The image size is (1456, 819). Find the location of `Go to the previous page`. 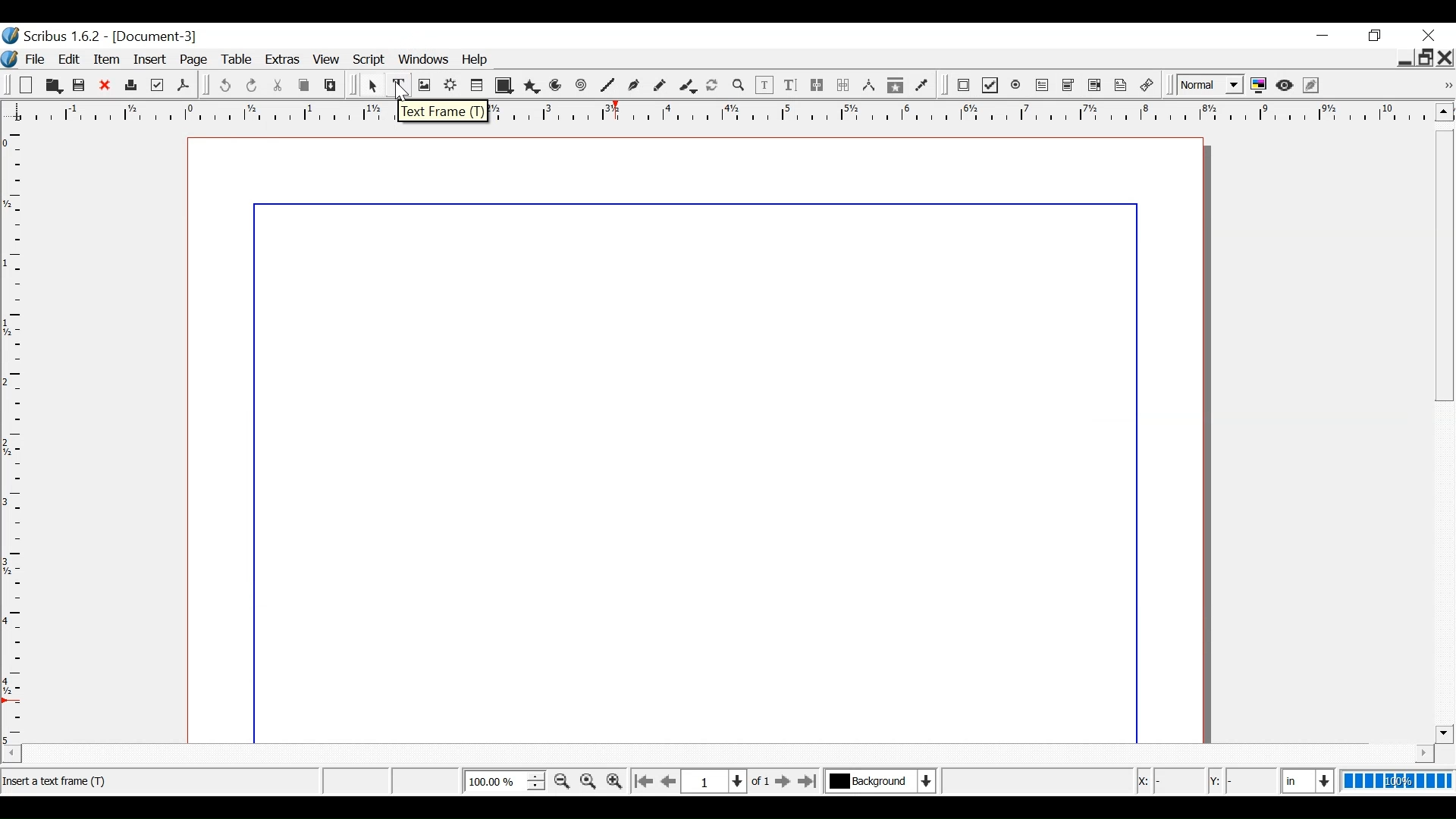

Go to the previous page is located at coordinates (670, 780).